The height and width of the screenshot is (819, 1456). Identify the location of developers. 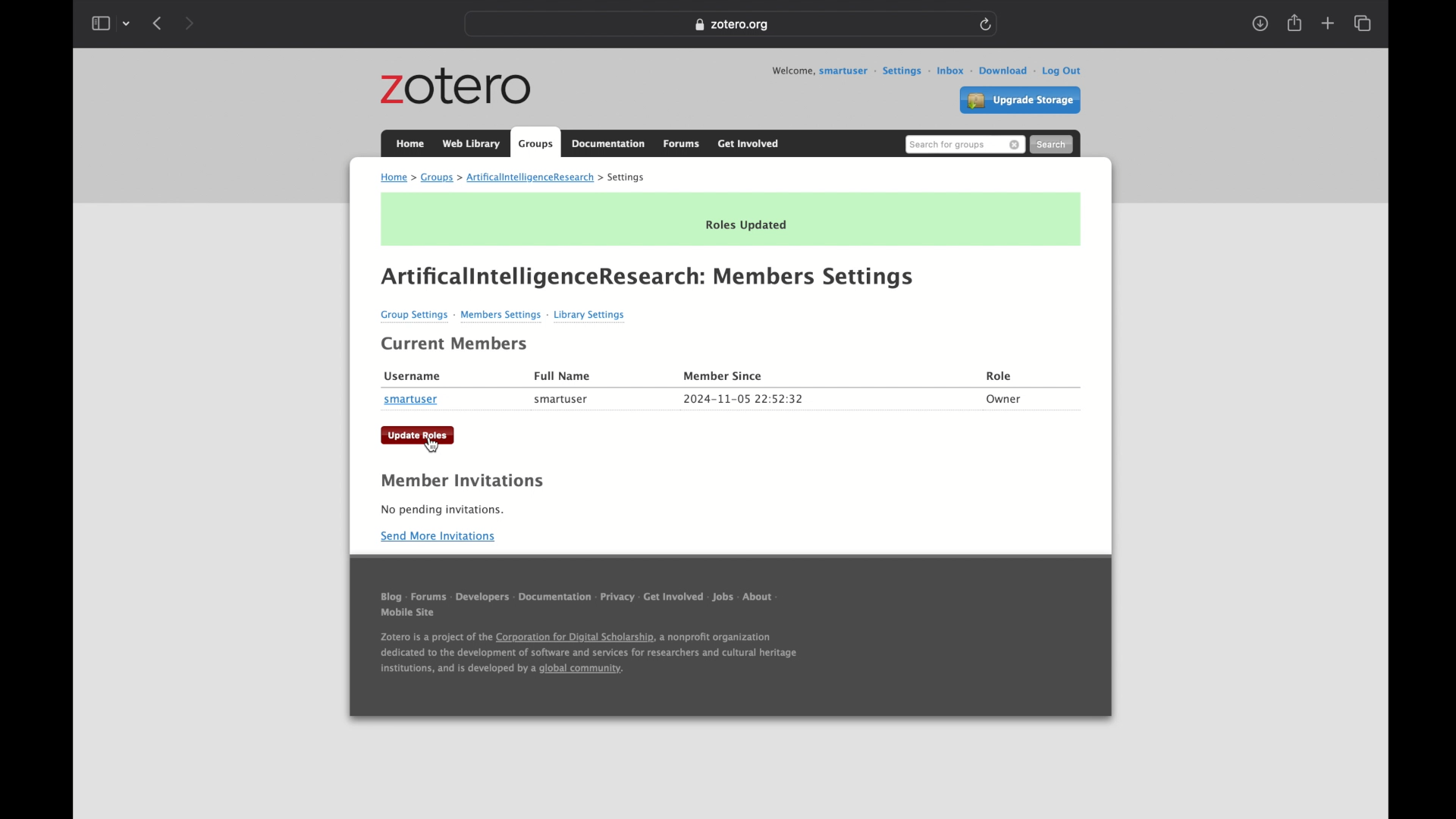
(483, 601).